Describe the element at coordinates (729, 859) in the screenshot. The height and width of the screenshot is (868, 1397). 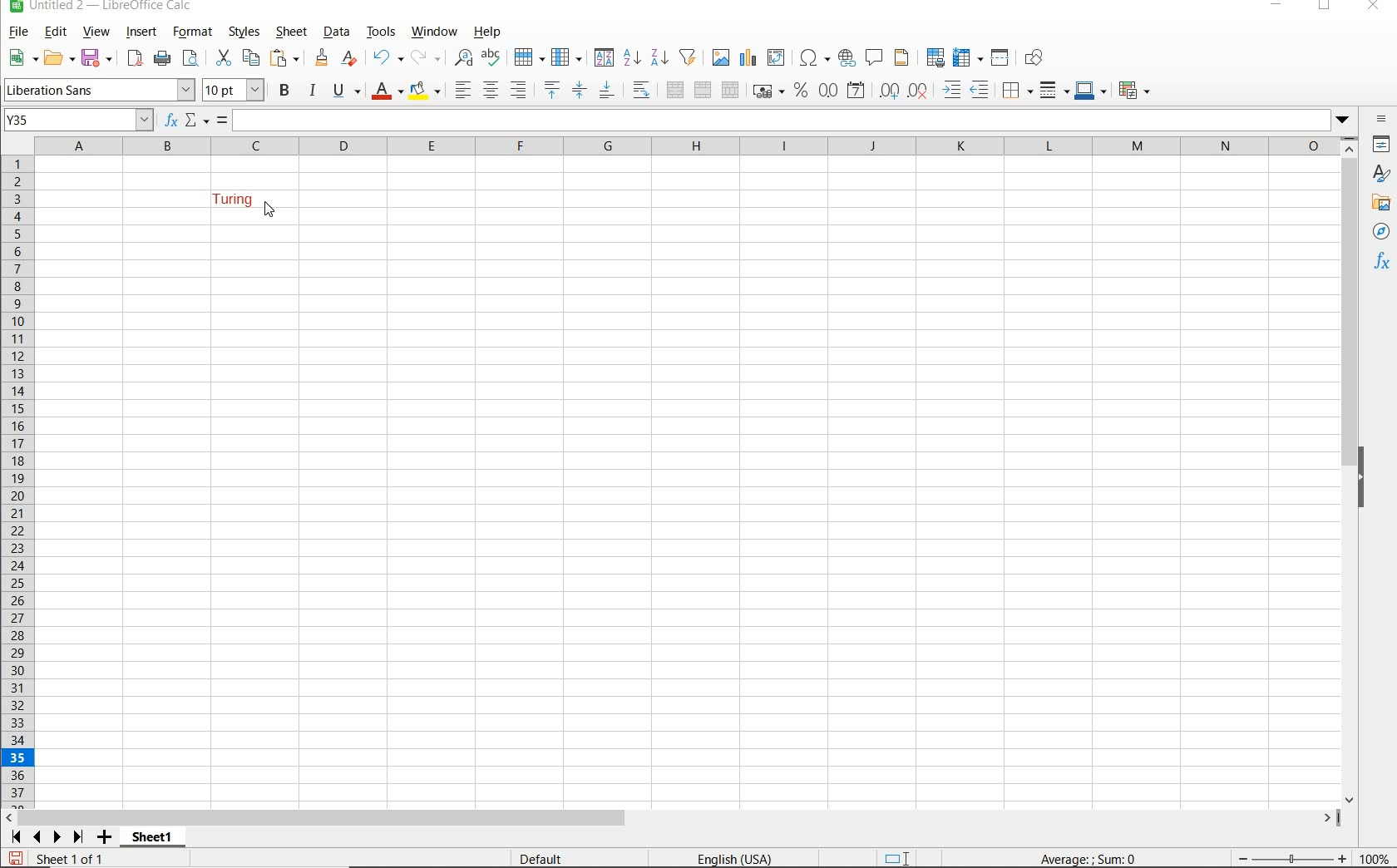
I see `TEXT LANGUAGE` at that location.